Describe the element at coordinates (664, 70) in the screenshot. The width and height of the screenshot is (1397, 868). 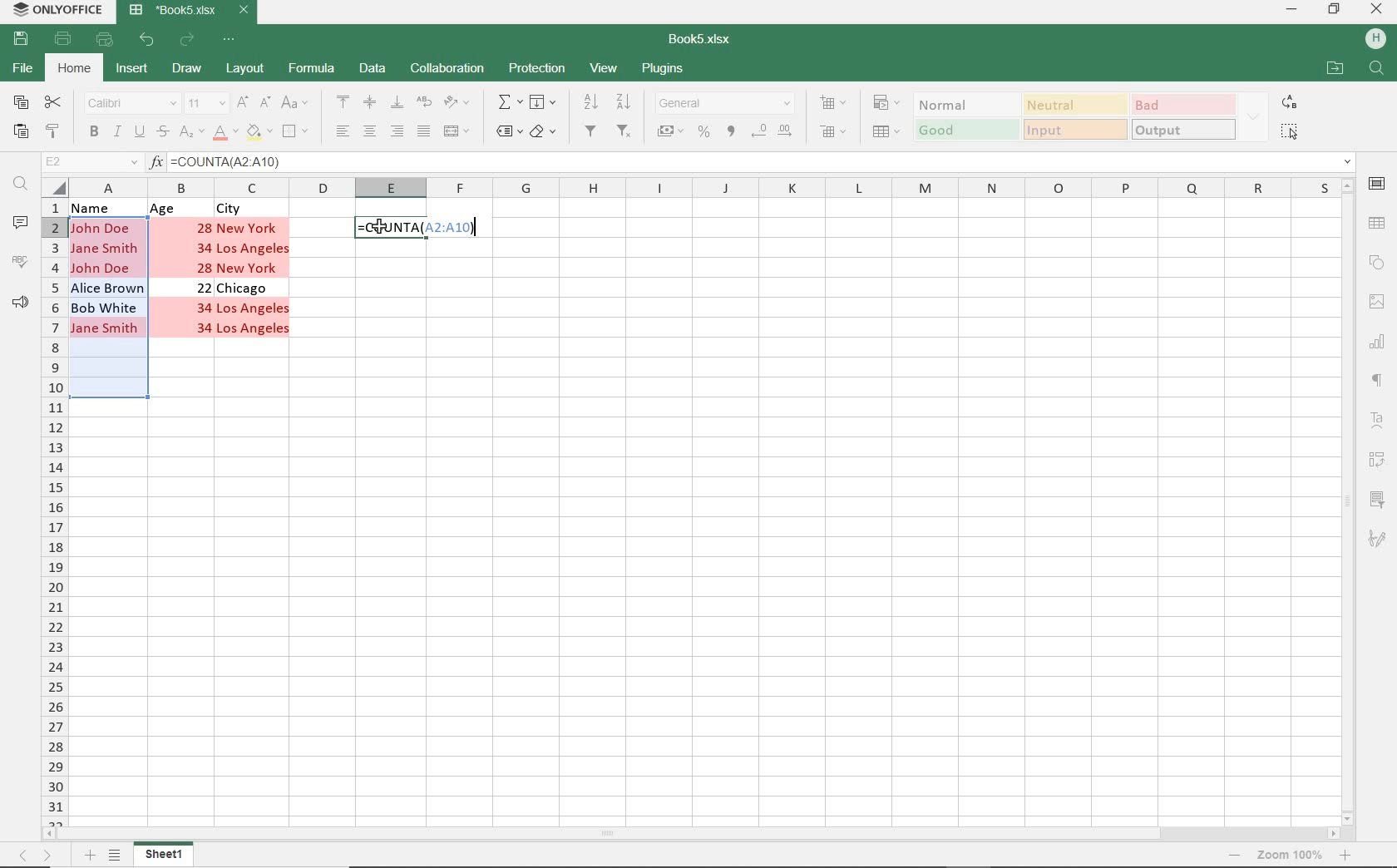
I see `PLUGINS` at that location.